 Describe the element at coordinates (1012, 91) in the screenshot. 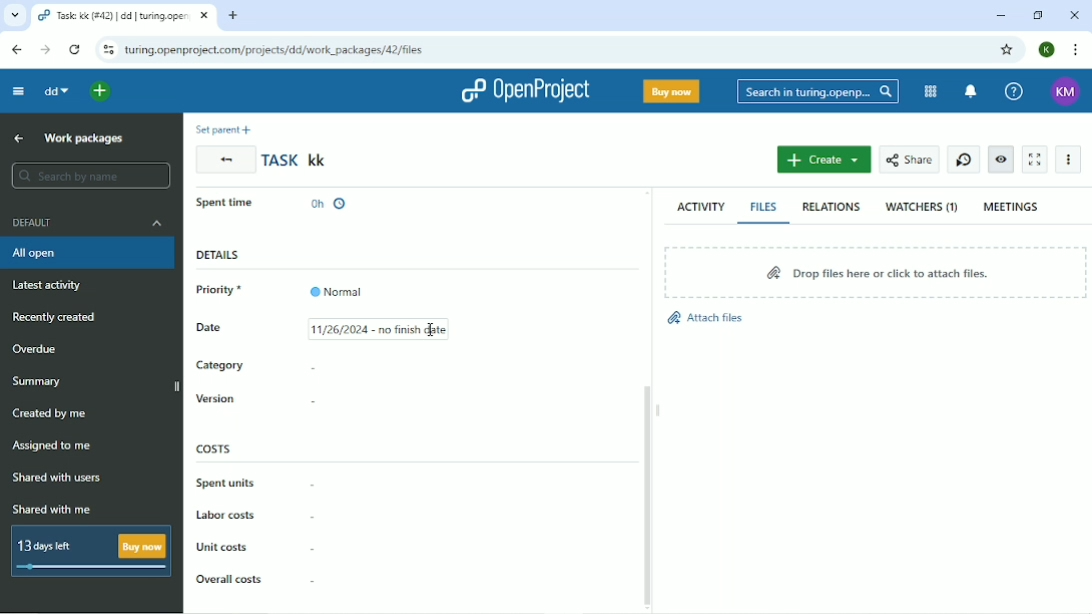

I see `Help` at that location.